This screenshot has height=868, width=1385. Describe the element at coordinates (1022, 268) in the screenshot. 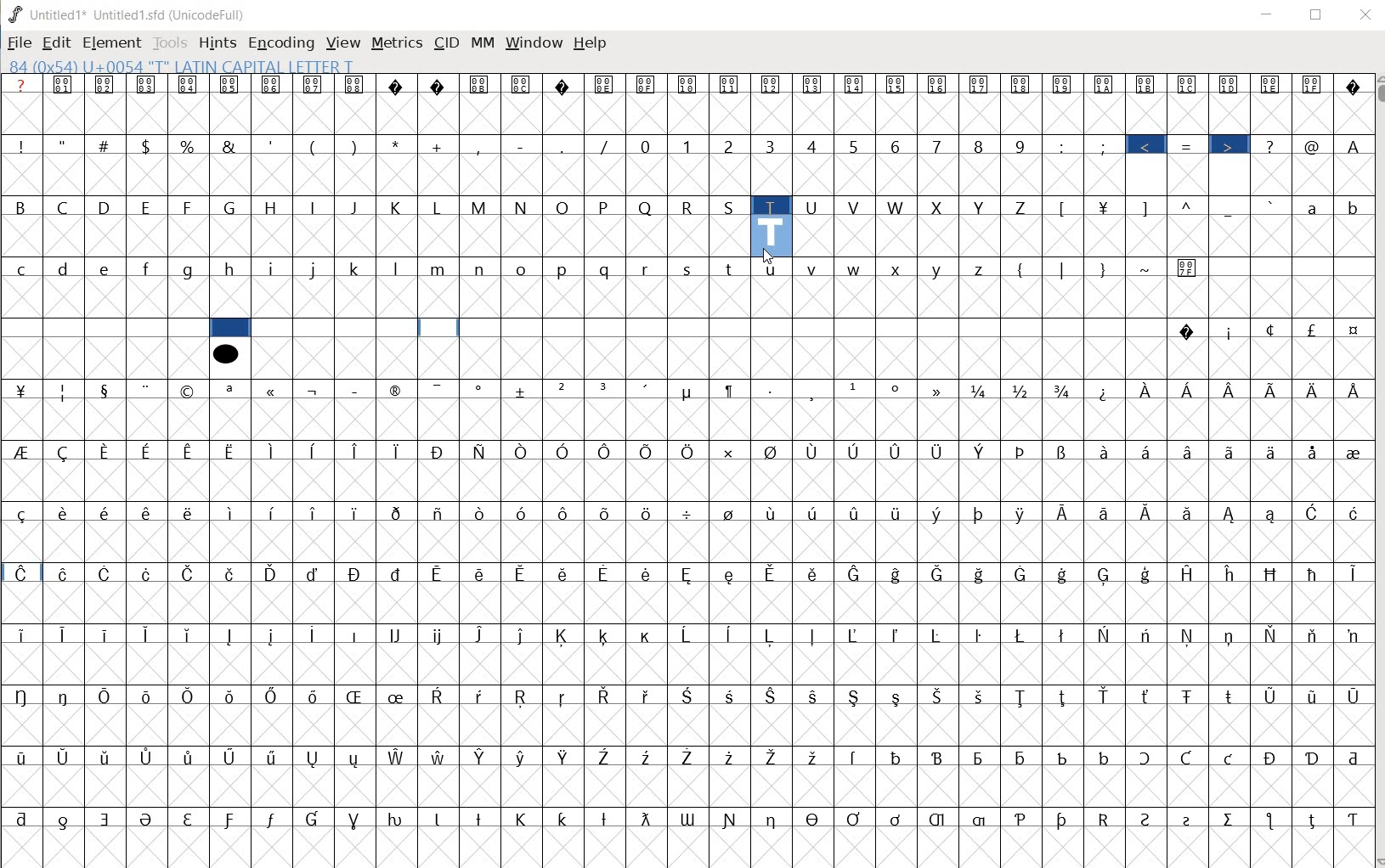

I see `(` at that location.